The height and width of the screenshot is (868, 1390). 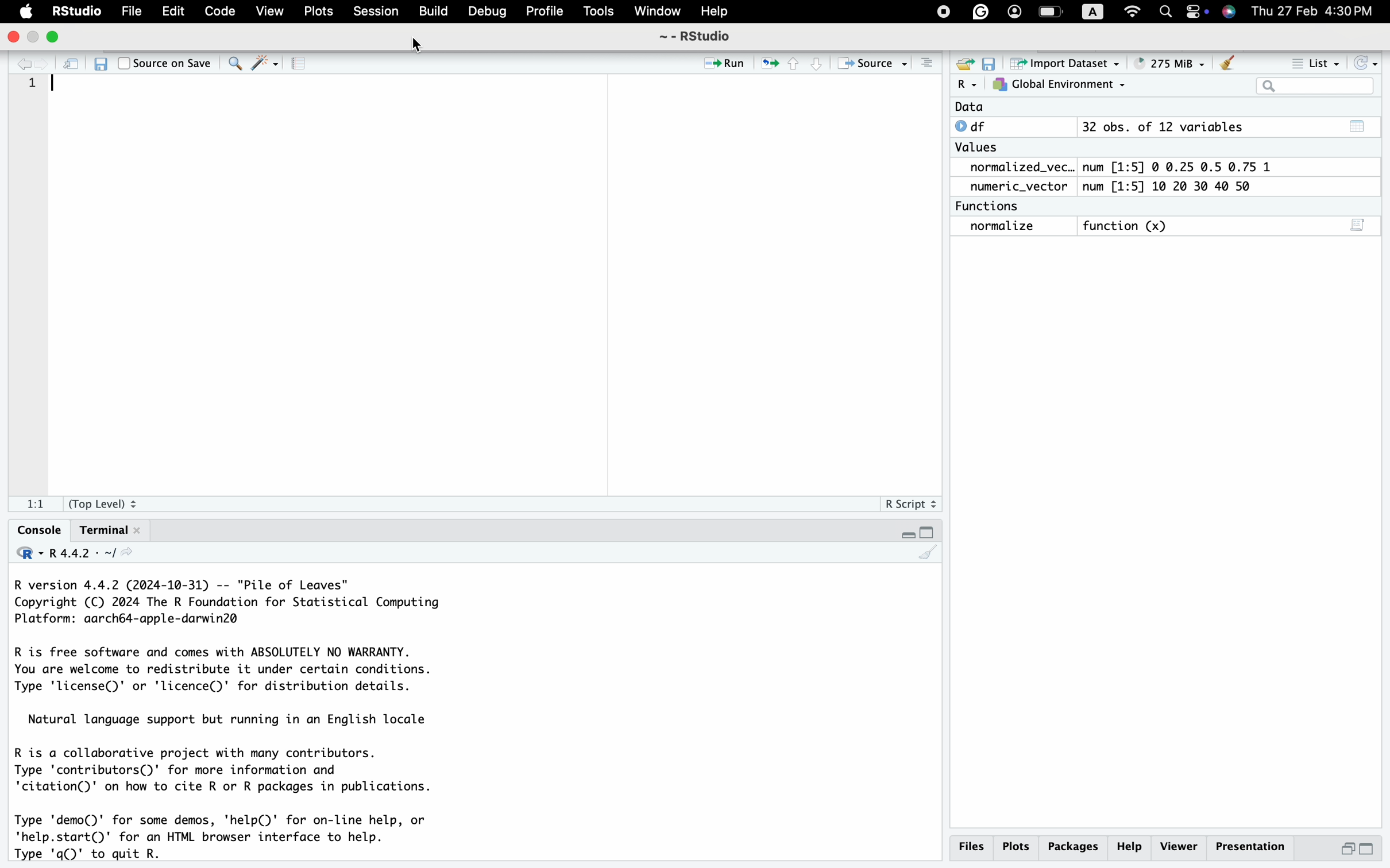 What do you see at coordinates (132, 556) in the screenshot?
I see `view the current working directory` at bounding box center [132, 556].